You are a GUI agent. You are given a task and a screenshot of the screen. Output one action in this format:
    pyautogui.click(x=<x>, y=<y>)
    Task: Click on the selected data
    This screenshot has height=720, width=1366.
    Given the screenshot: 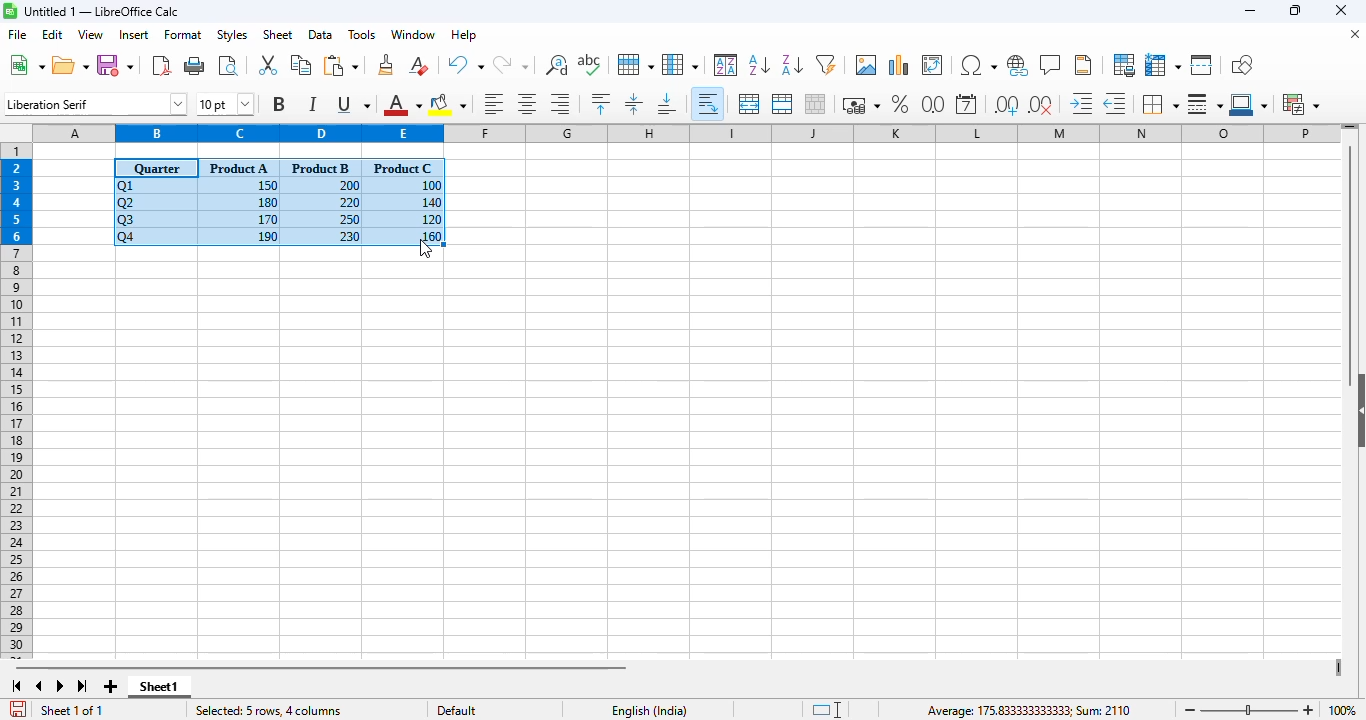 What is the action you would take?
    pyautogui.click(x=282, y=204)
    